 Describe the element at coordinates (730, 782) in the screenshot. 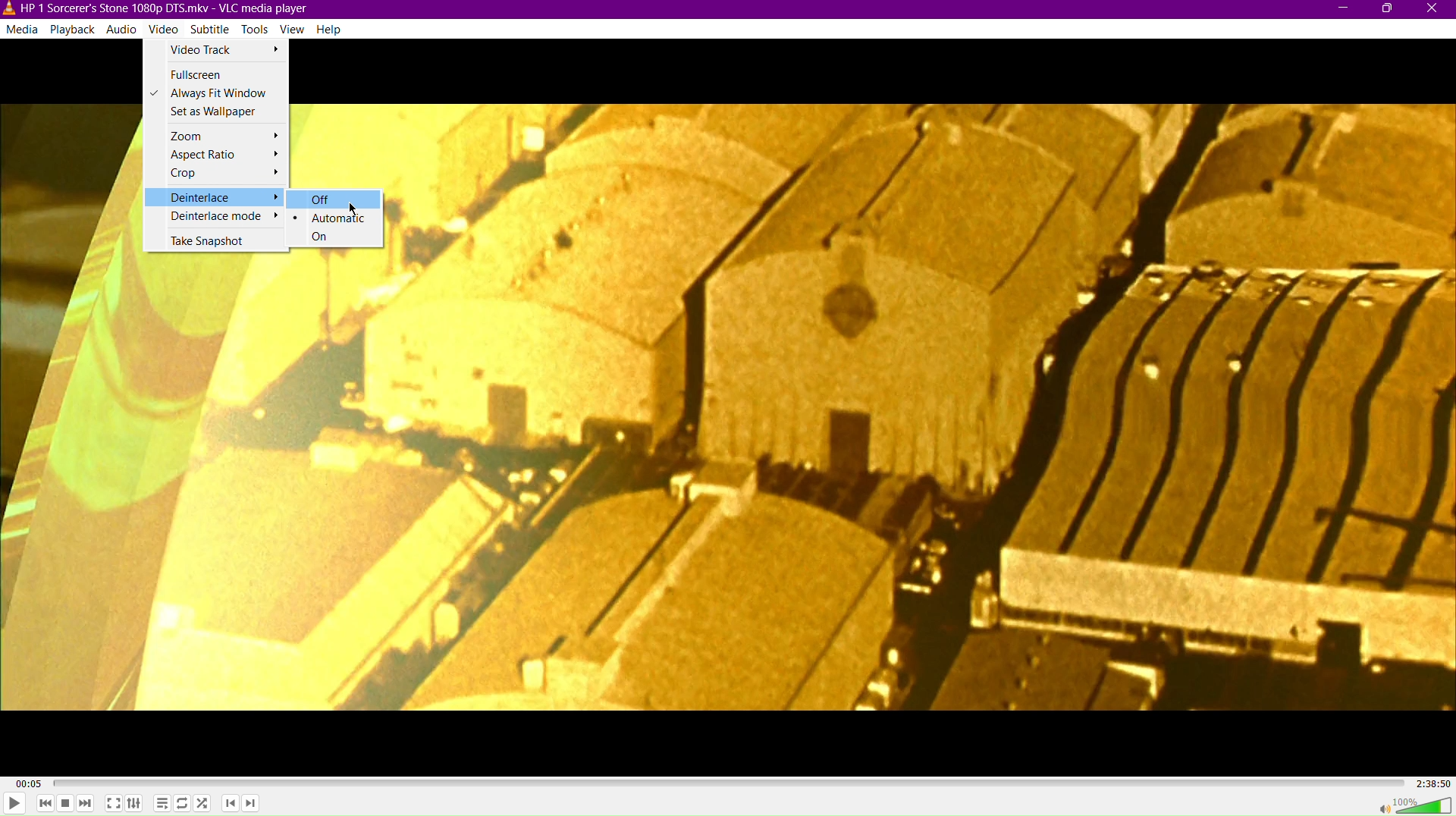

I see `Timeline` at that location.